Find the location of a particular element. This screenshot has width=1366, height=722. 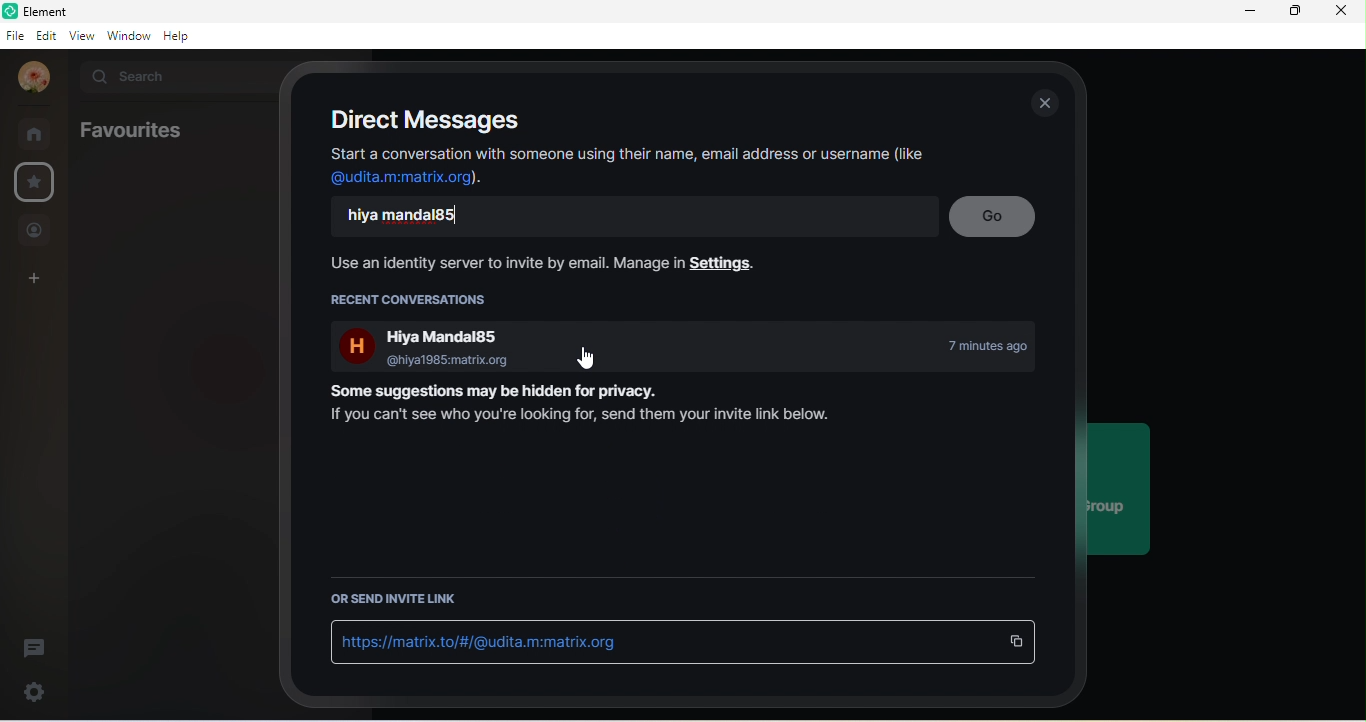

or send invite link is located at coordinates (399, 601).